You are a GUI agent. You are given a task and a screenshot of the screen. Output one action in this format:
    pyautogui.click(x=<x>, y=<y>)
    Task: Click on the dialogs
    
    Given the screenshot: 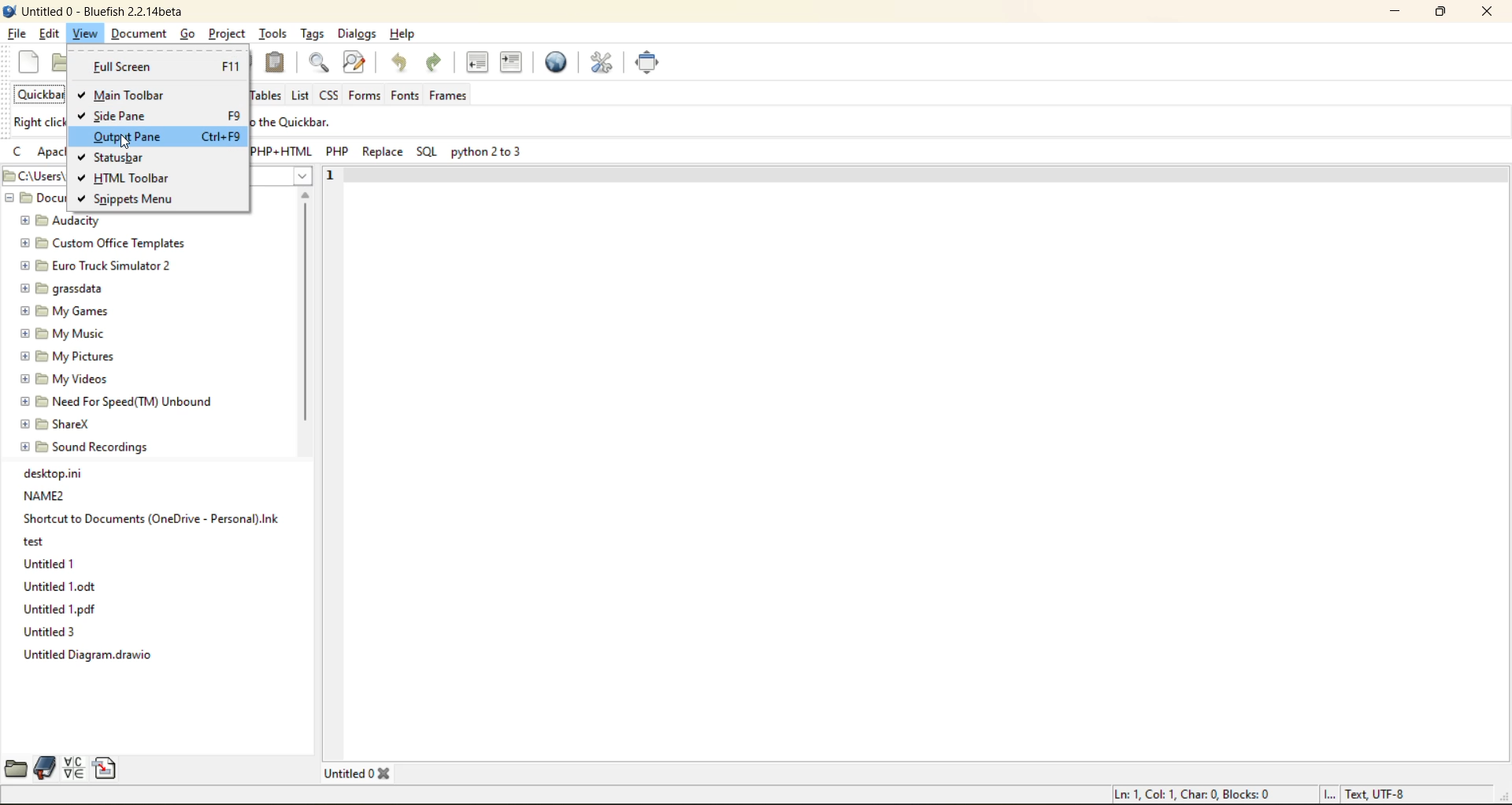 What is the action you would take?
    pyautogui.click(x=354, y=33)
    